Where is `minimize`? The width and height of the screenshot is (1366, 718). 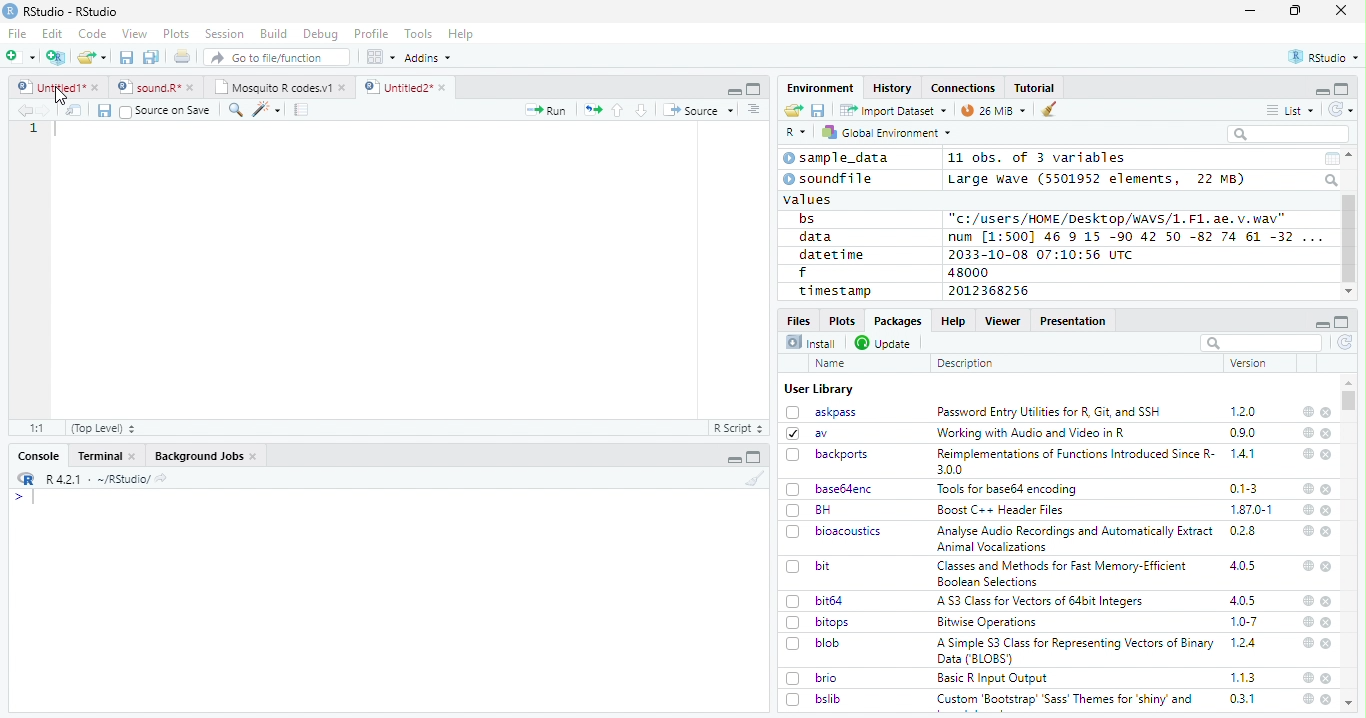 minimize is located at coordinates (1253, 11).